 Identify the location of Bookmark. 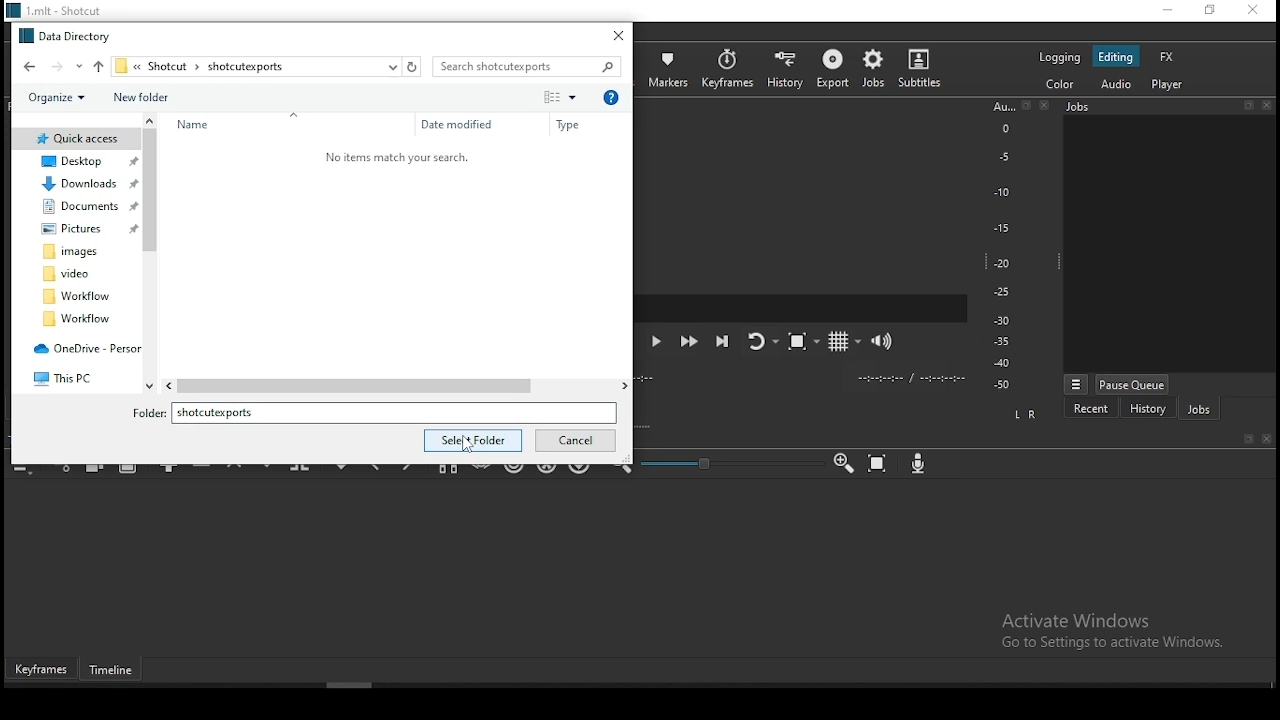
(1248, 439).